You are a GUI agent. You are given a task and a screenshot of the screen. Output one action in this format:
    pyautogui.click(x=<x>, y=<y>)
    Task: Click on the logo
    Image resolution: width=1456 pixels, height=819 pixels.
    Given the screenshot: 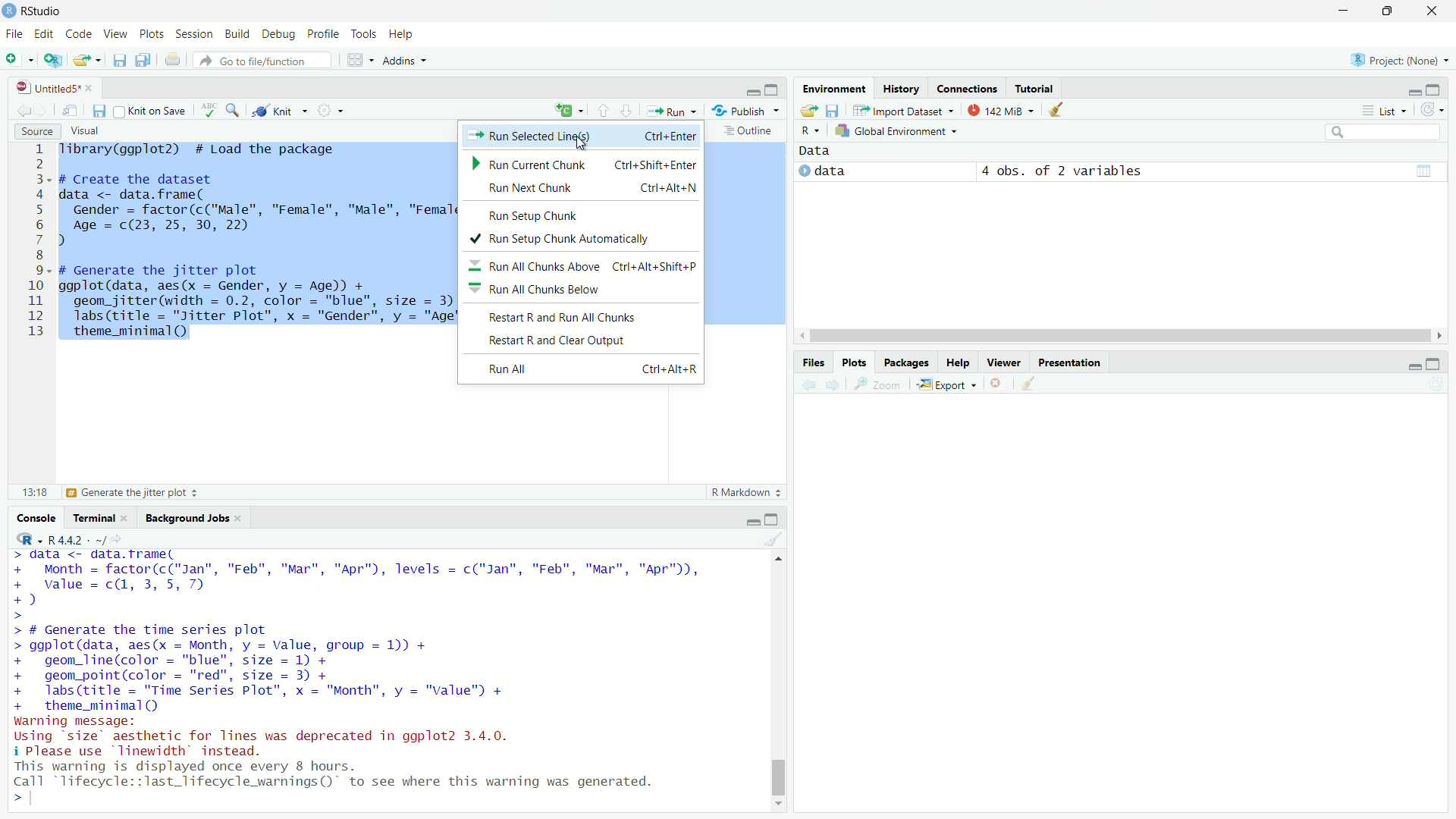 What is the action you would take?
    pyautogui.click(x=9, y=11)
    